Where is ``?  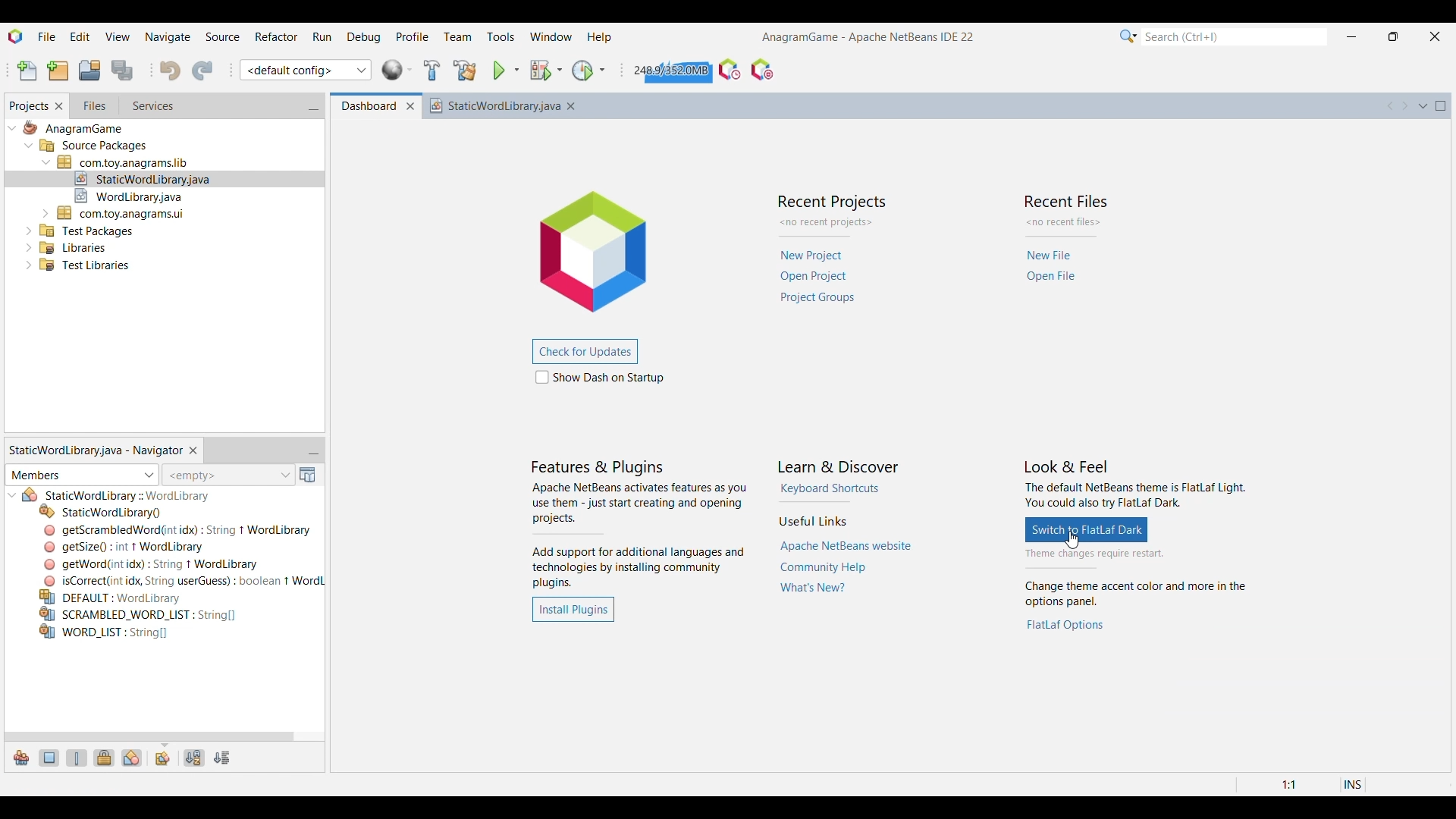
 is located at coordinates (72, 246).